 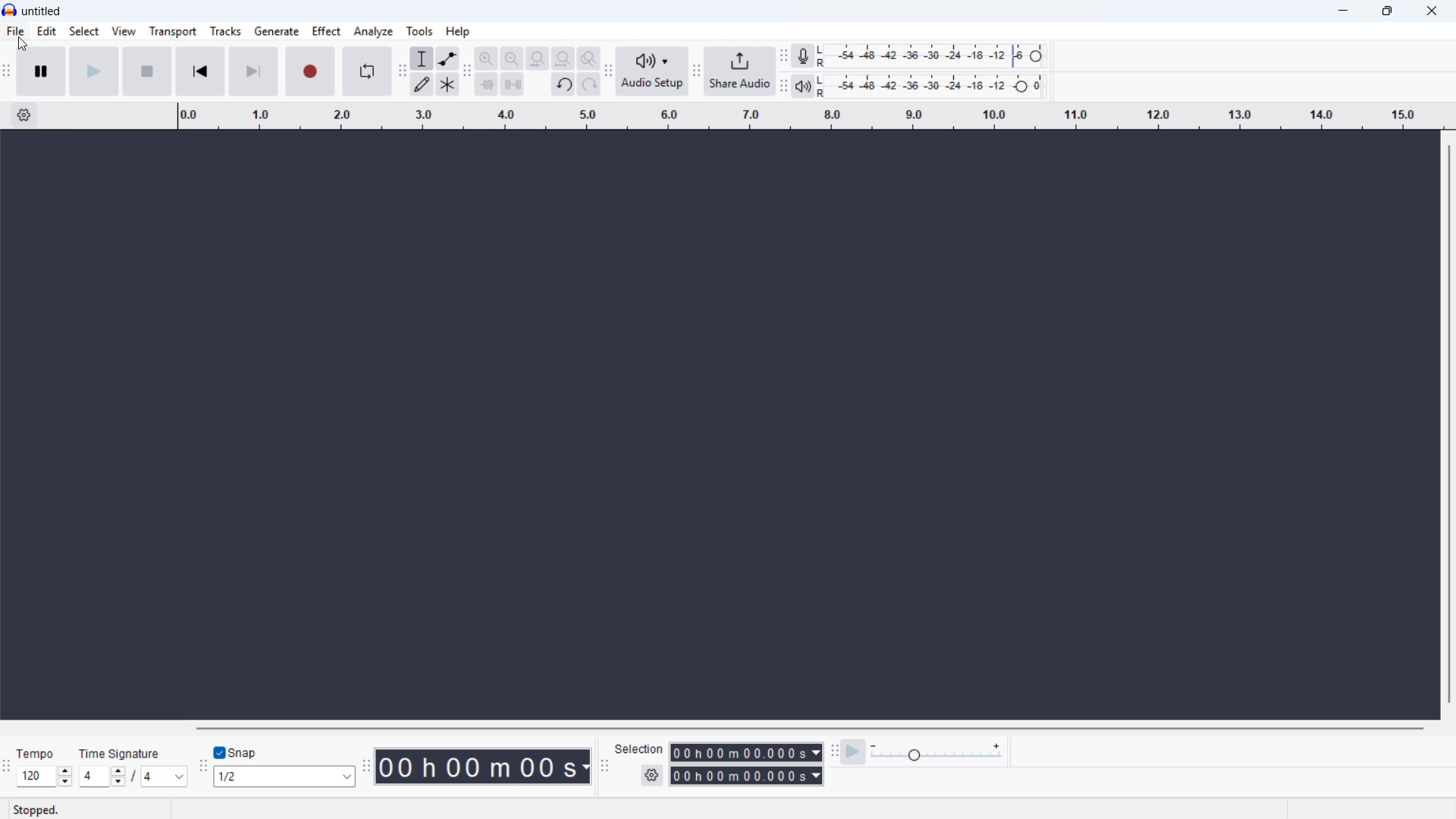 What do you see at coordinates (400, 71) in the screenshot?
I see `Tools toolbar ` at bounding box center [400, 71].